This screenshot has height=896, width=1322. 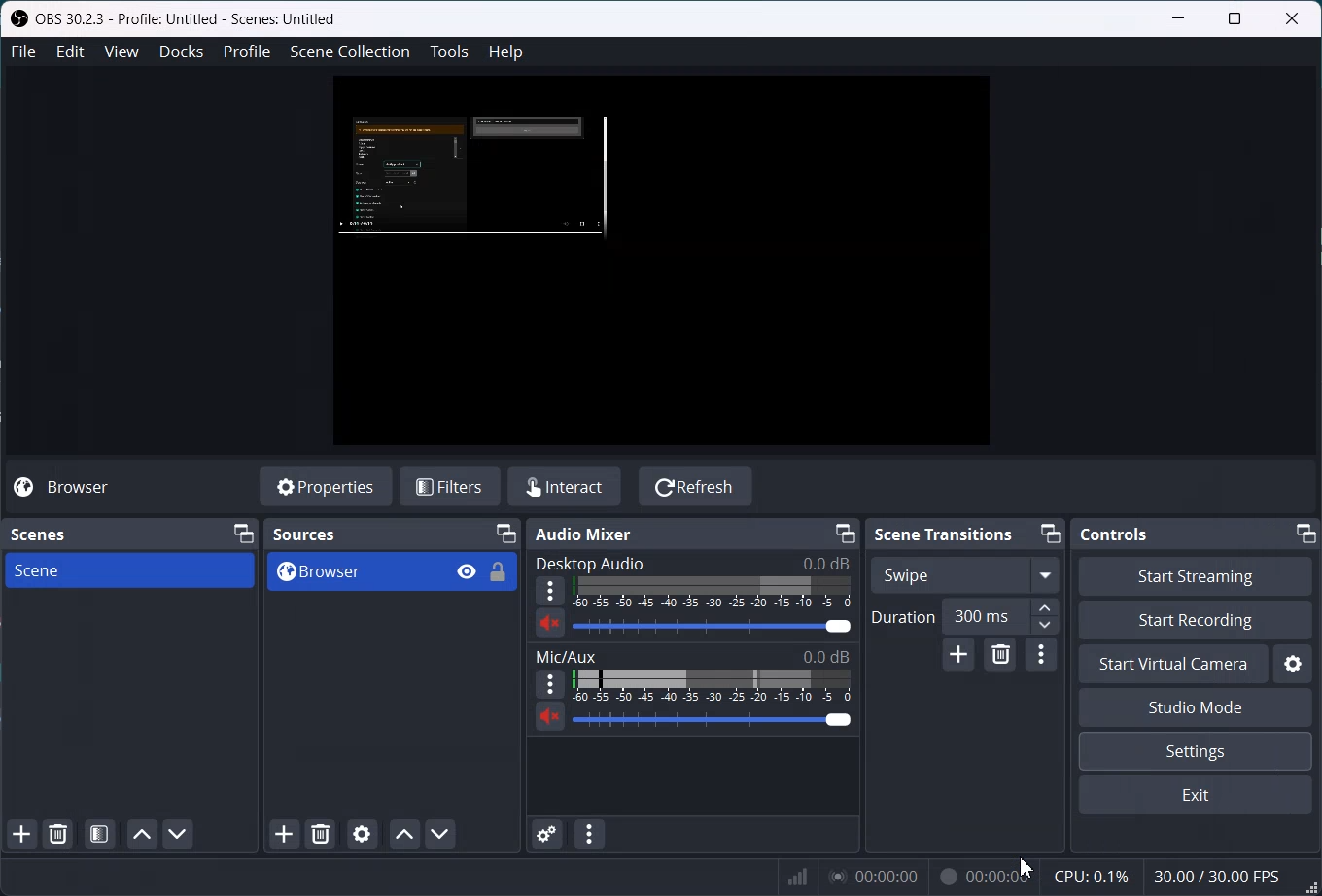 I want to click on Volume Indicator, so click(x=714, y=593).